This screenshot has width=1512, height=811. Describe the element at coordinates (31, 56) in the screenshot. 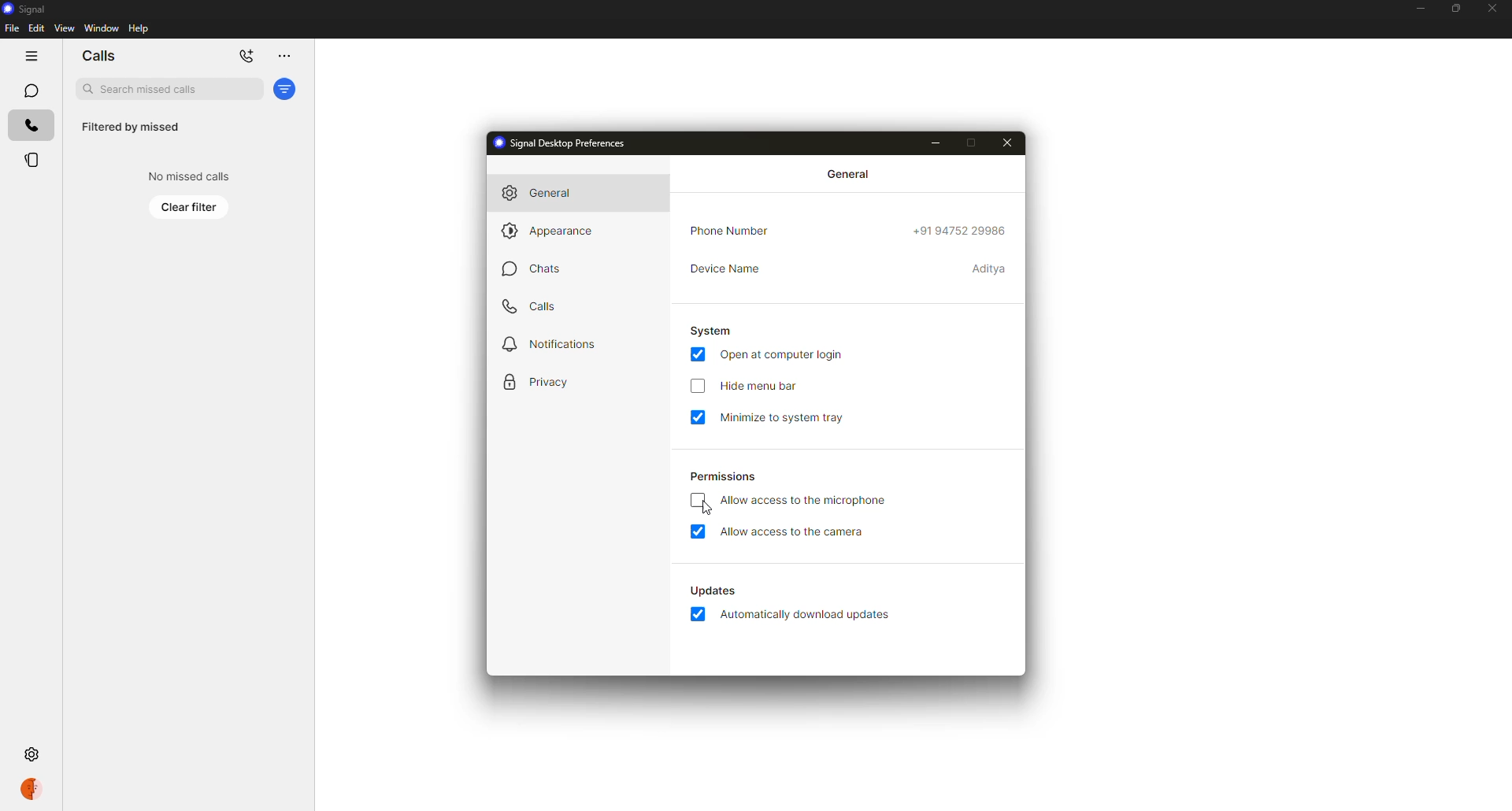

I see `hide tabs` at that location.